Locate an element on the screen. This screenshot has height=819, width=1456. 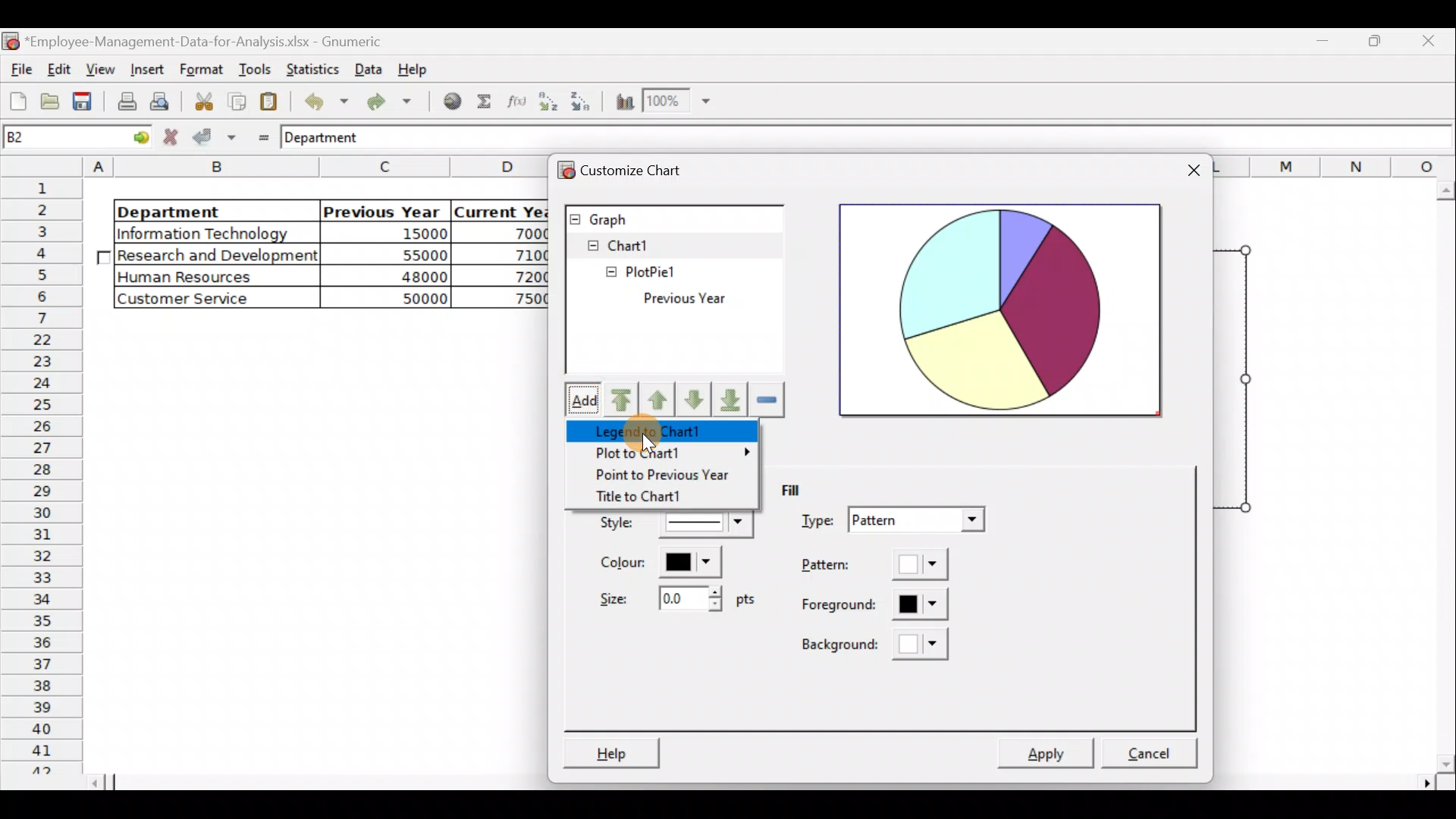
Edit a function in the current cell is located at coordinates (516, 101).